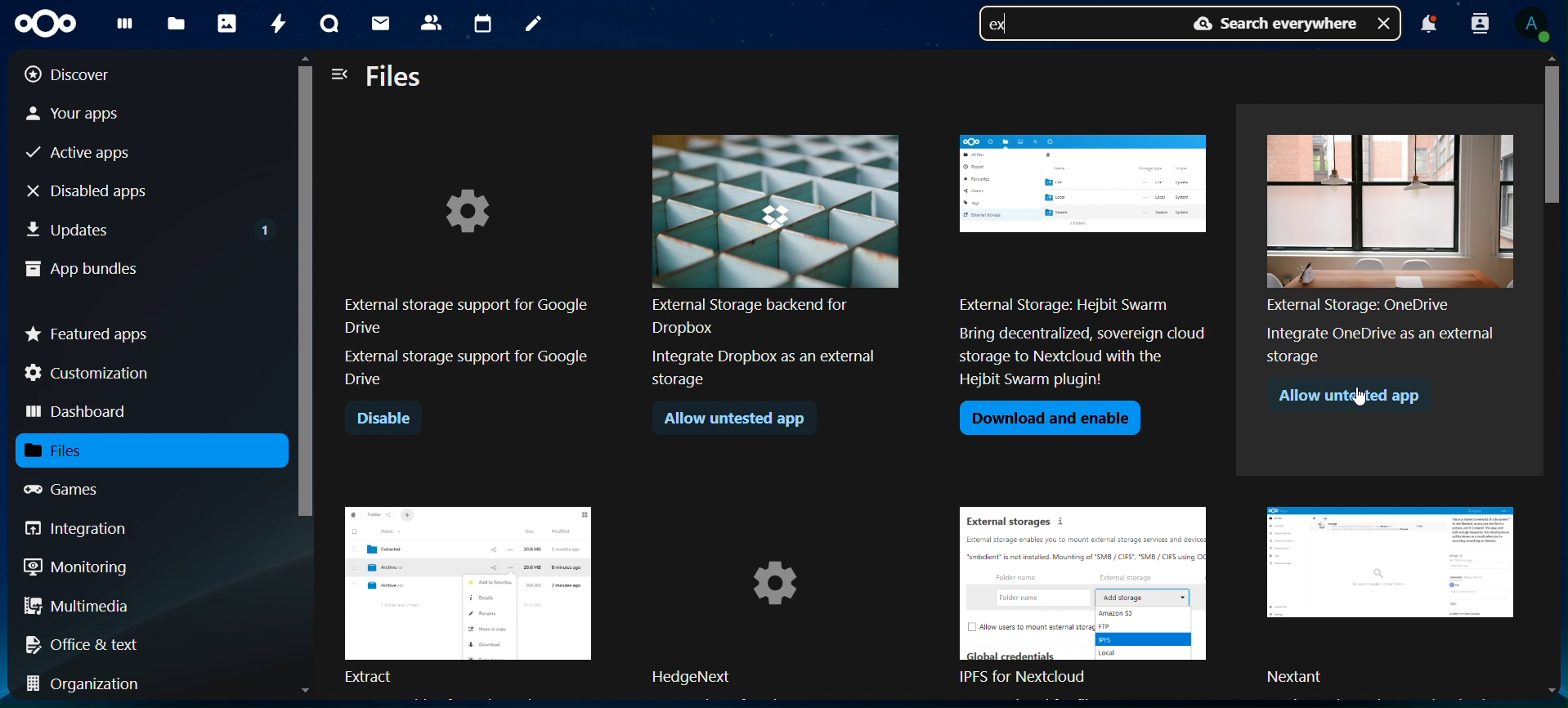  Describe the element at coordinates (88, 330) in the screenshot. I see `featured apps` at that location.